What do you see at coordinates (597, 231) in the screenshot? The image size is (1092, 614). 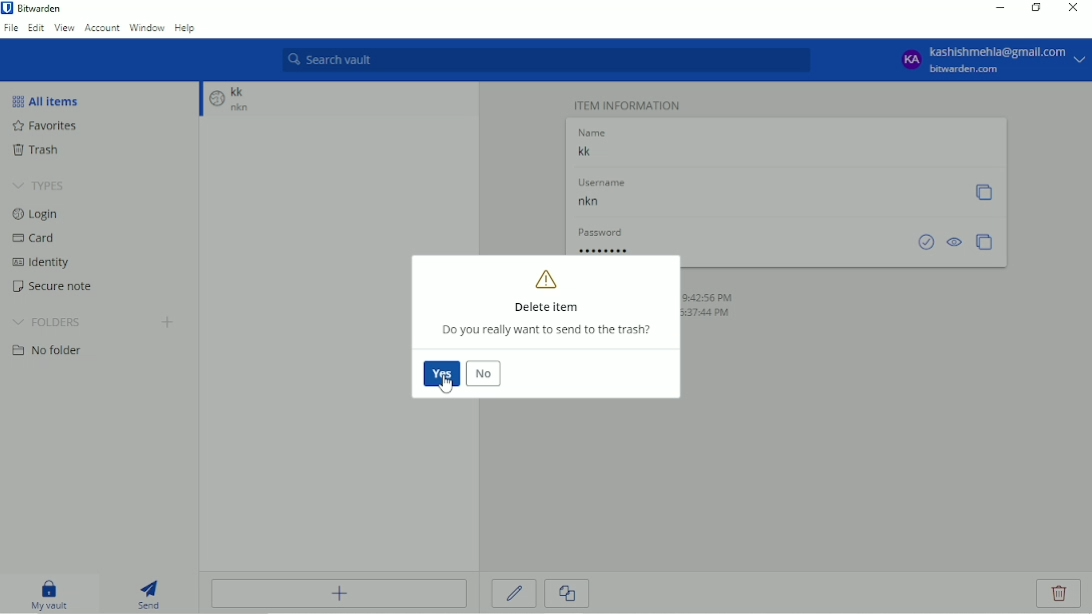 I see `password` at bounding box center [597, 231].